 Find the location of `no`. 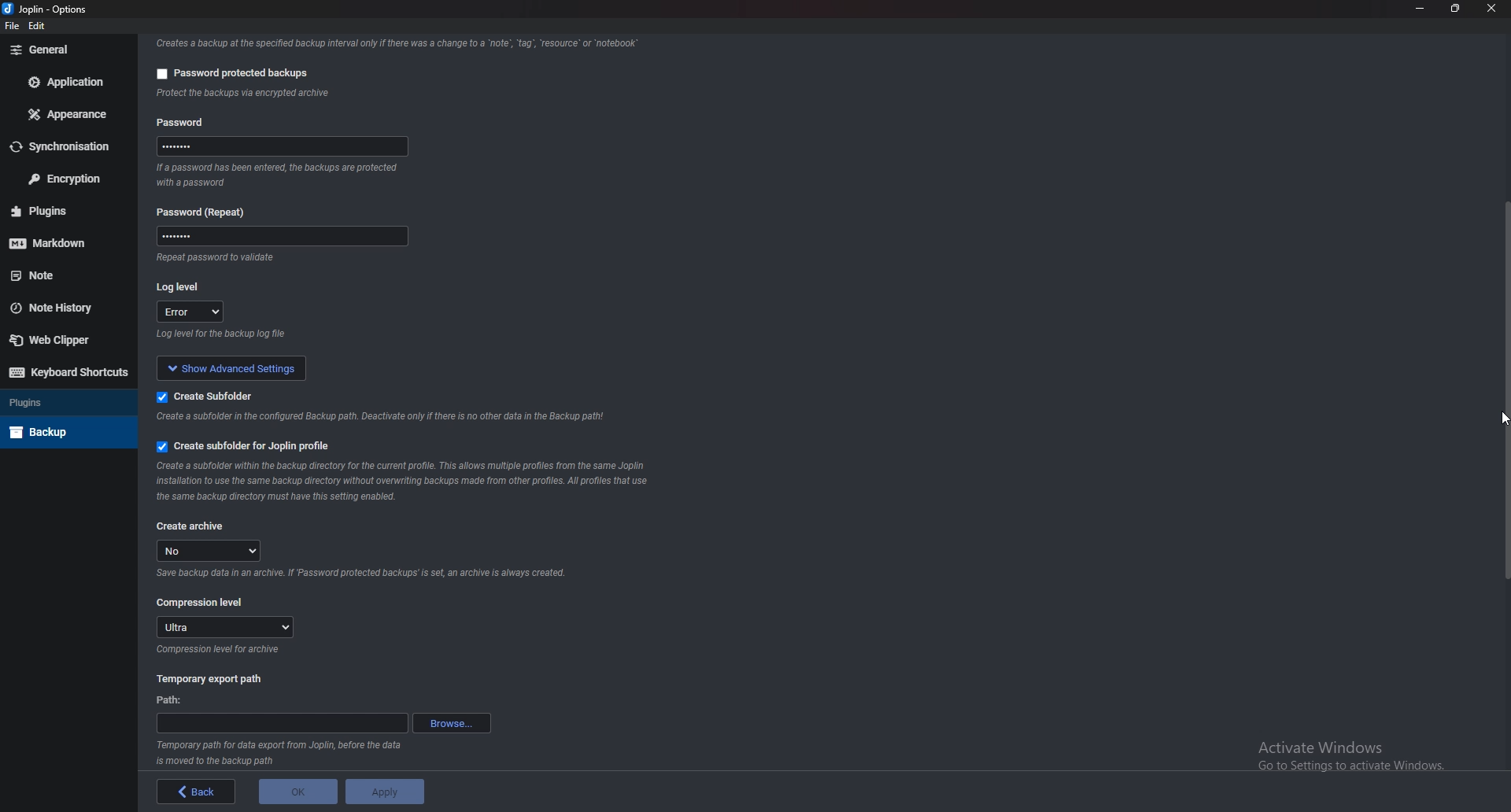

no is located at coordinates (212, 551).